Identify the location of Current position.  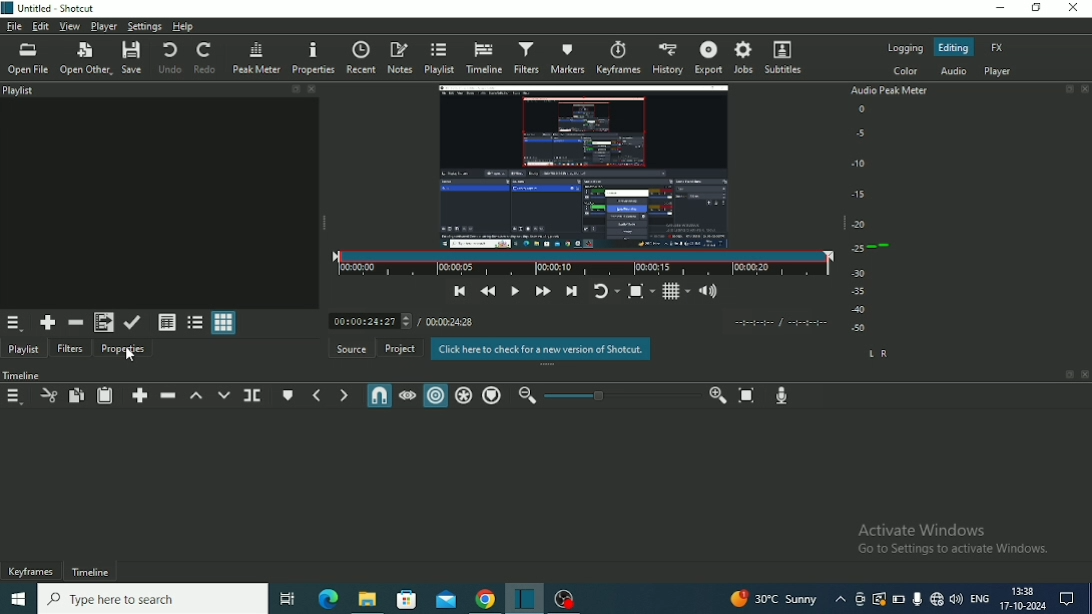
(369, 321).